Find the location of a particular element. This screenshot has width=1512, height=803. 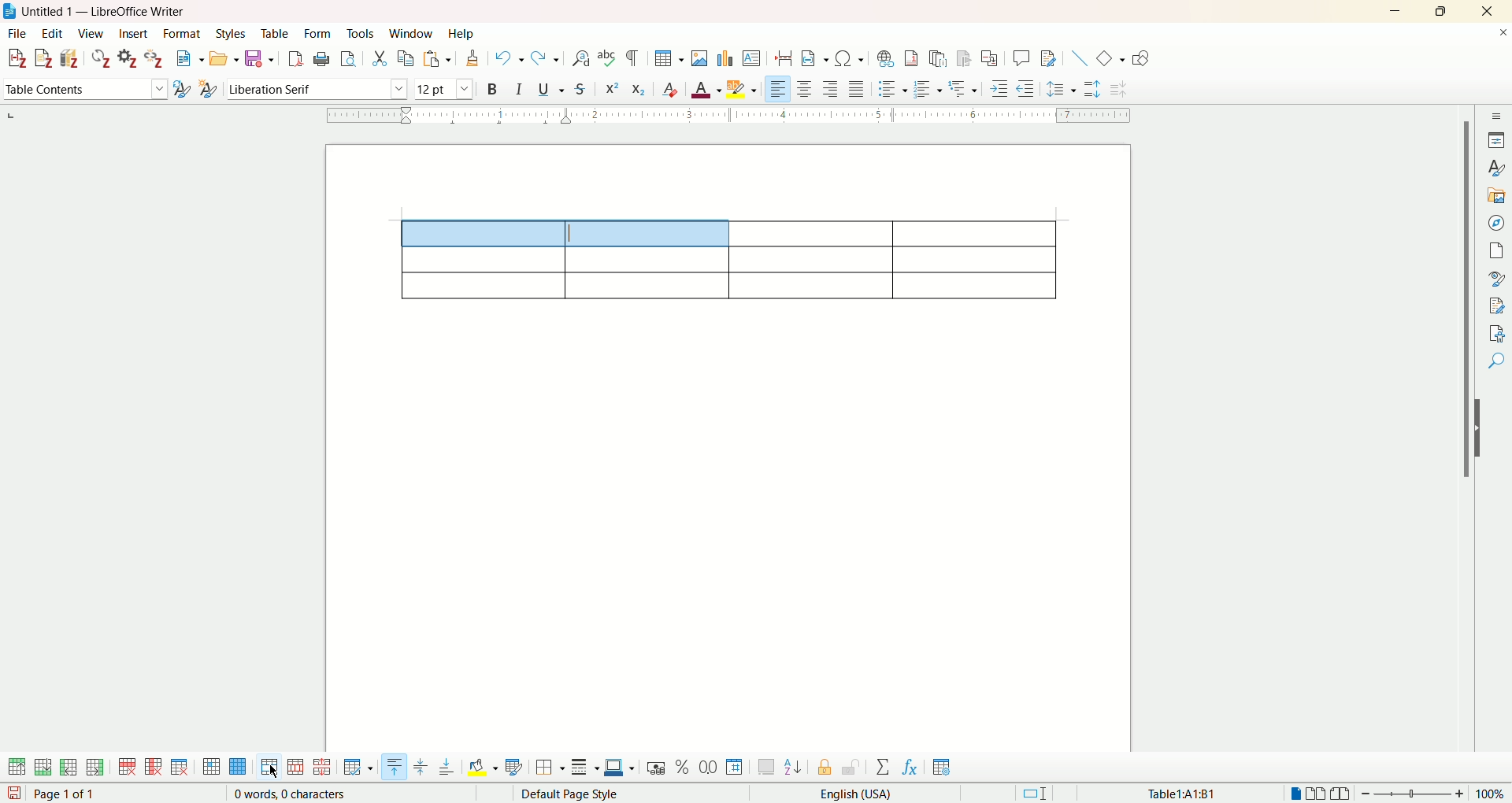

sum is located at coordinates (883, 764).